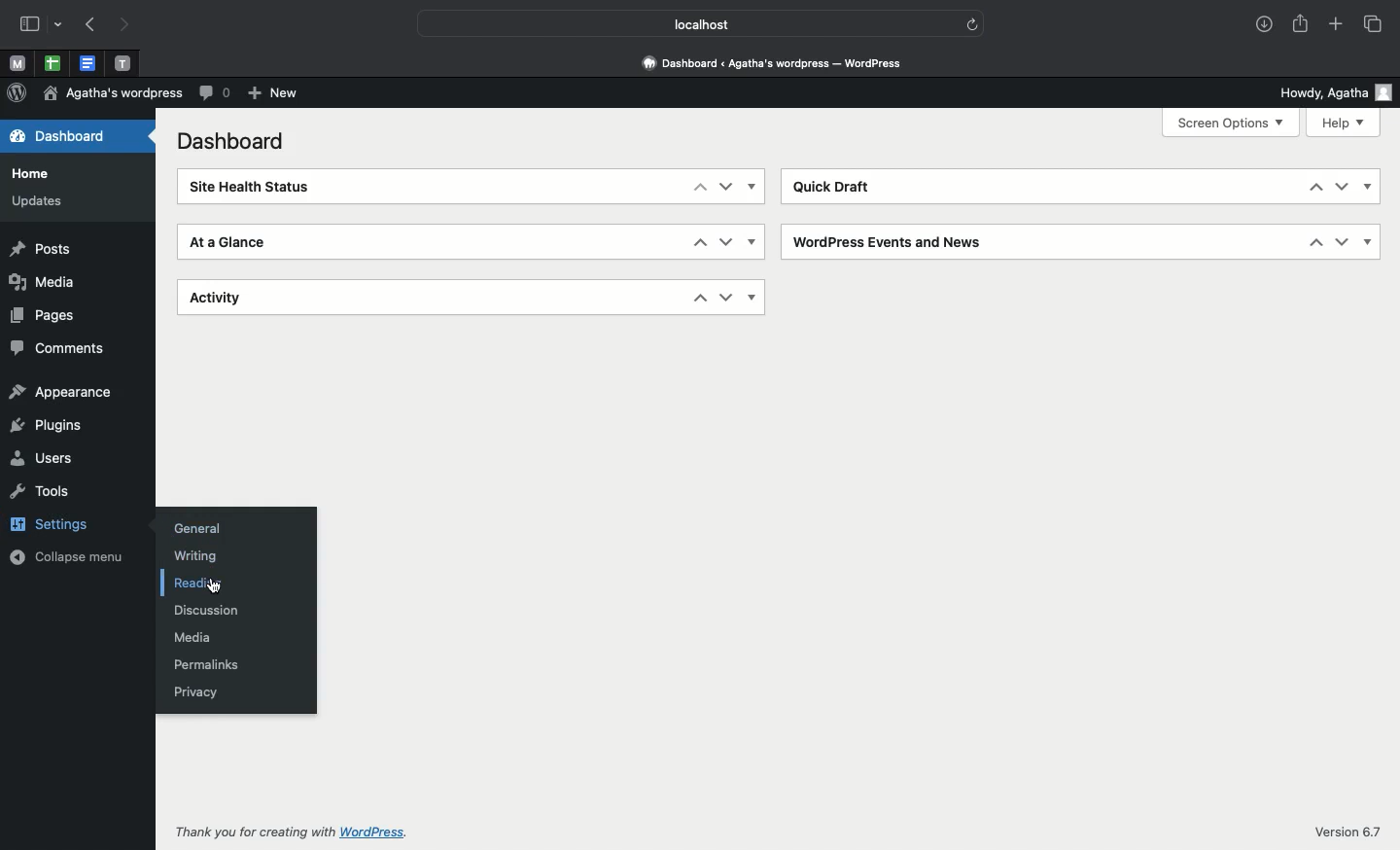  I want to click on Plugins, so click(50, 427).